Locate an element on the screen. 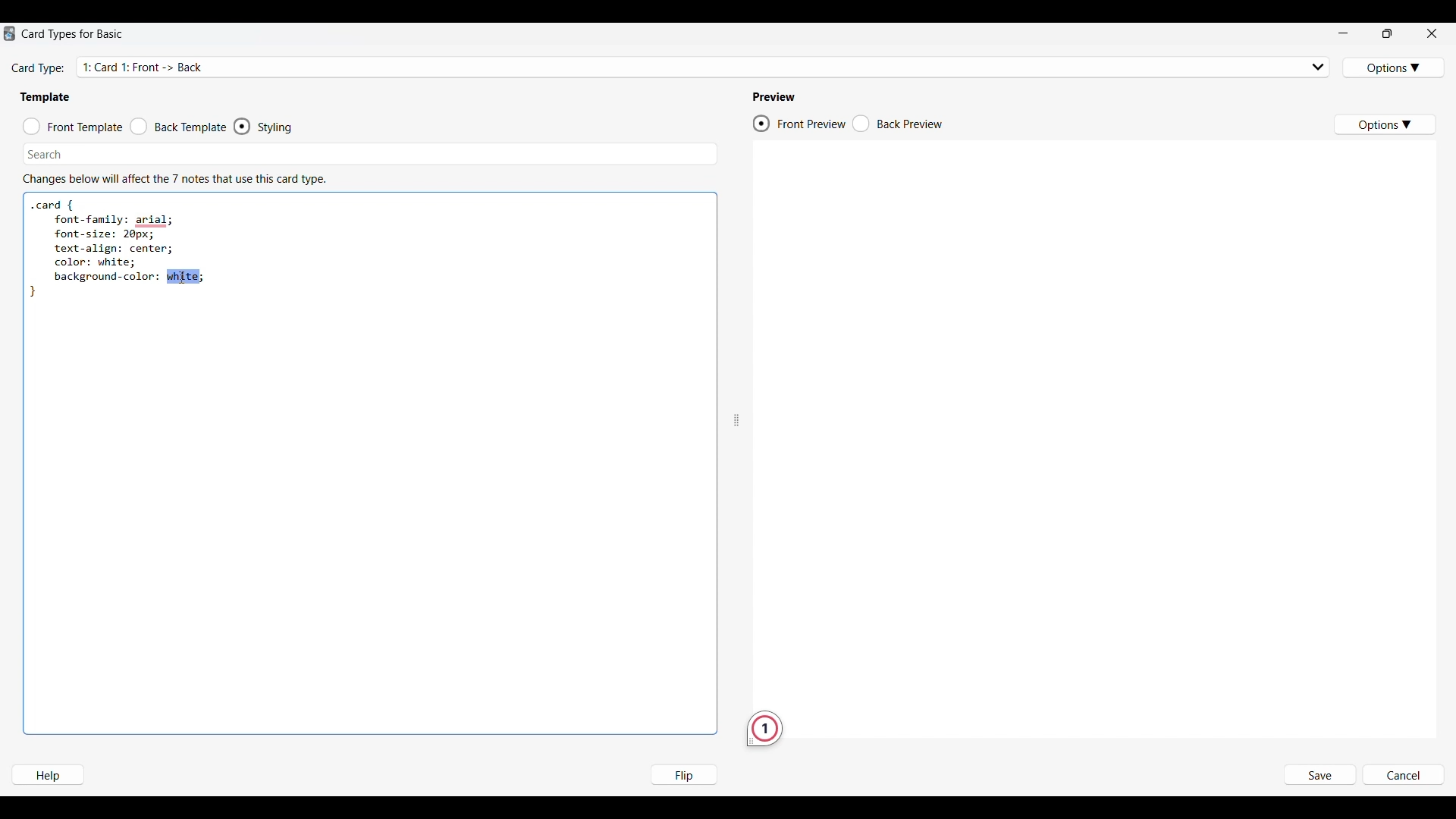  Close interface is located at coordinates (1432, 33).